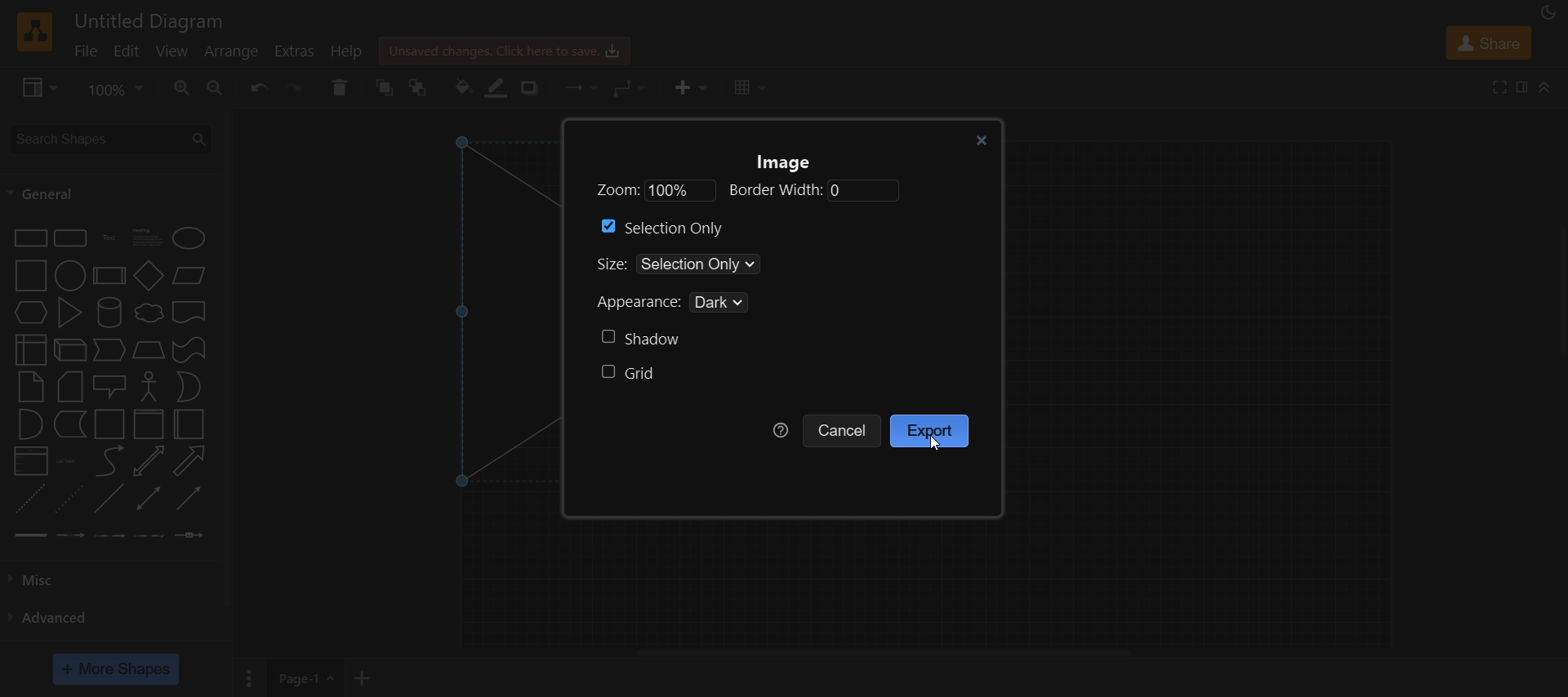 The width and height of the screenshot is (1568, 697). Describe the element at coordinates (640, 338) in the screenshot. I see `shadow` at that location.